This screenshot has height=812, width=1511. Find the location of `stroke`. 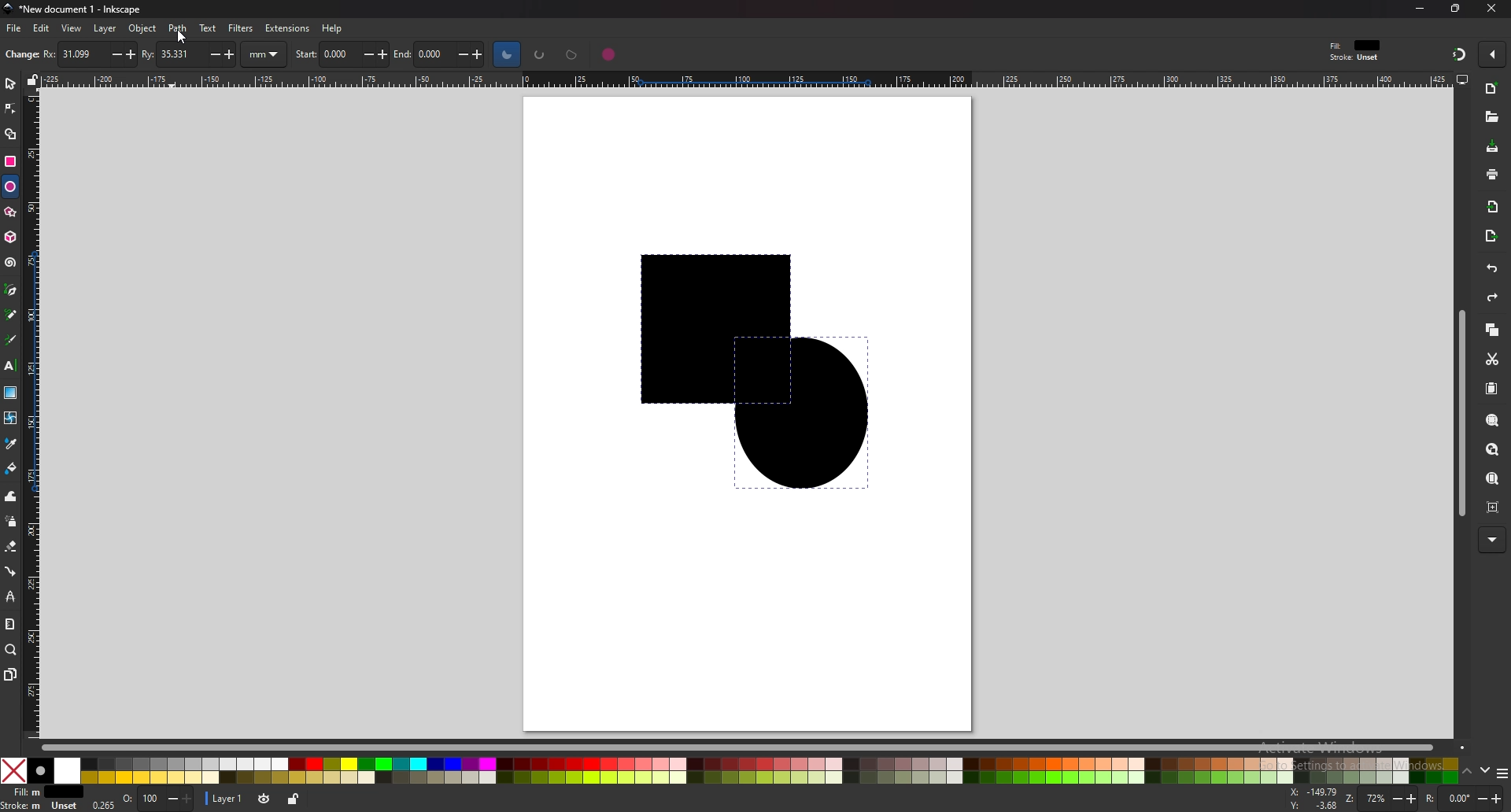

stroke is located at coordinates (42, 806).